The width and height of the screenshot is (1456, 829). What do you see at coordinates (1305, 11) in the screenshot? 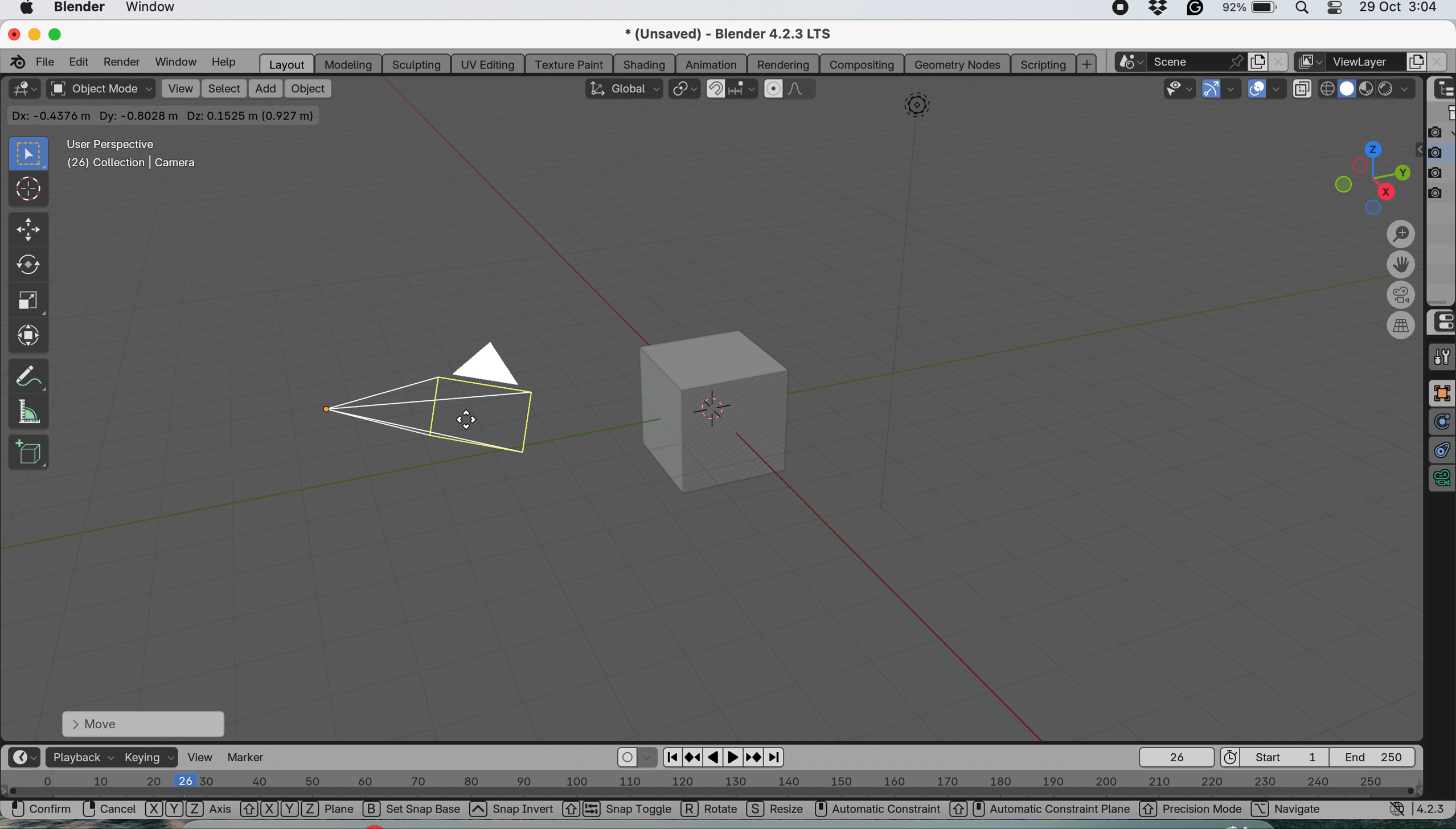
I see `spotlight search` at bounding box center [1305, 11].